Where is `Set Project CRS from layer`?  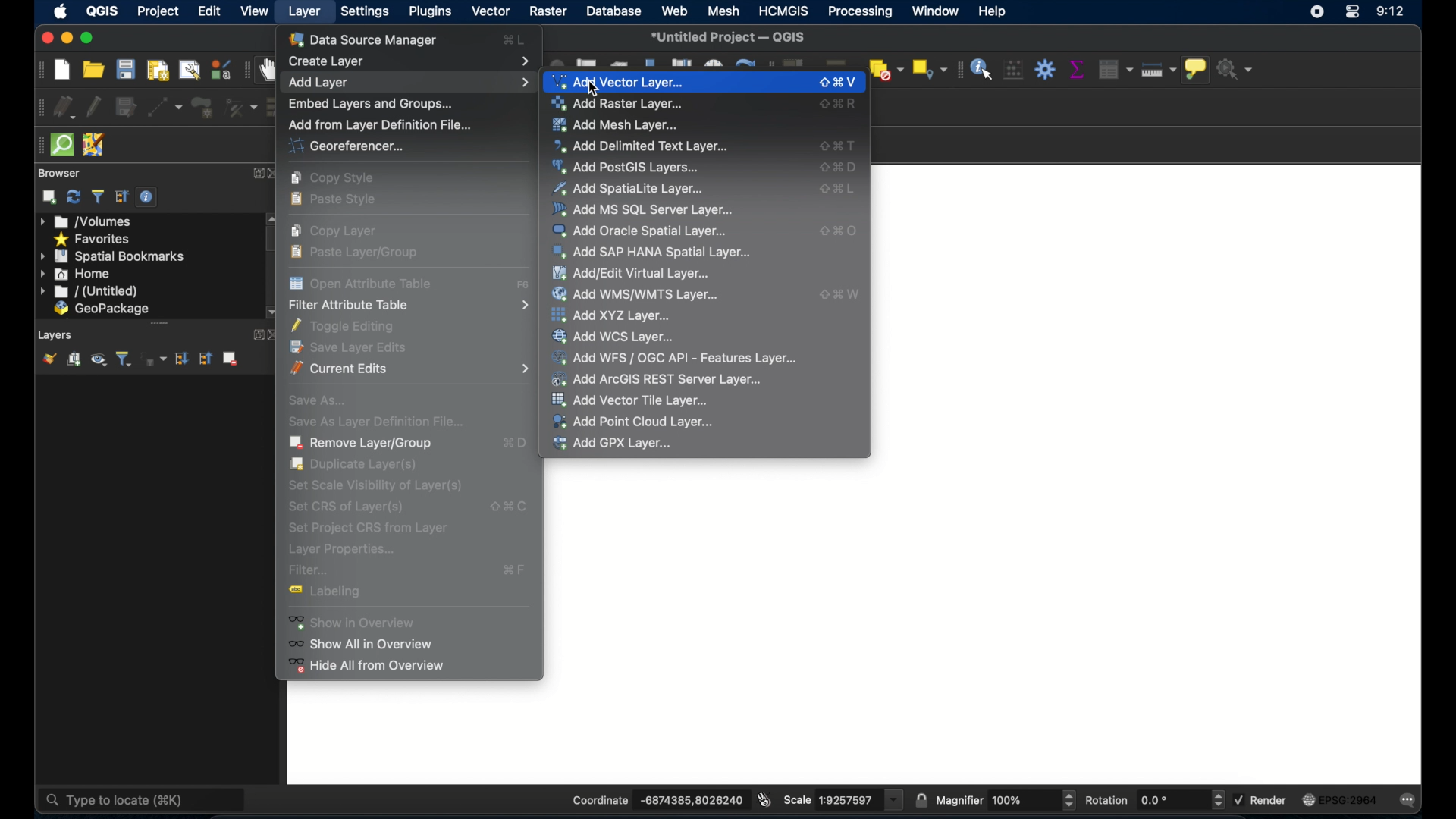 Set Project CRS from layer is located at coordinates (382, 530).